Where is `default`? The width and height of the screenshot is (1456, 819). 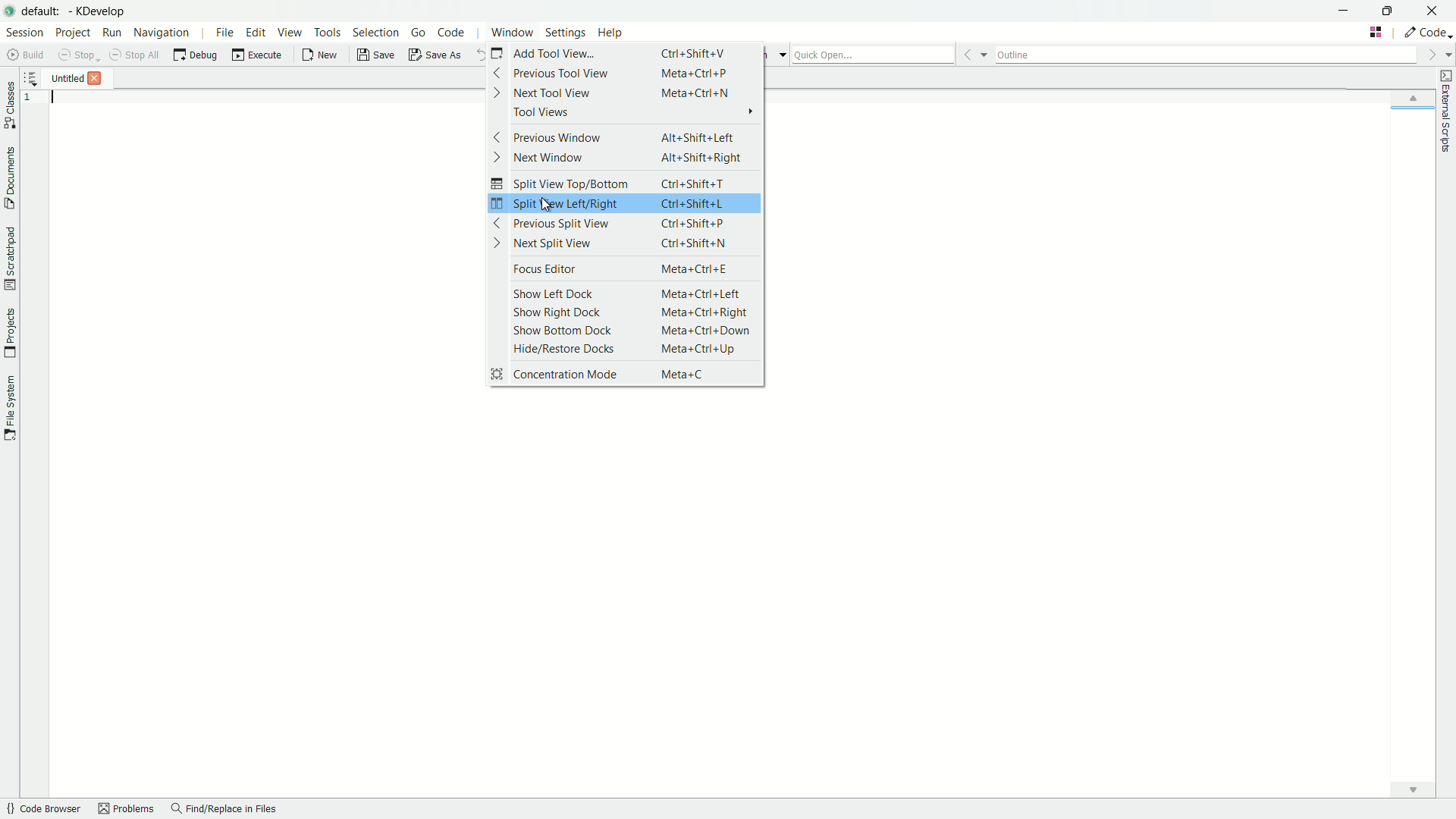 default is located at coordinates (42, 11).